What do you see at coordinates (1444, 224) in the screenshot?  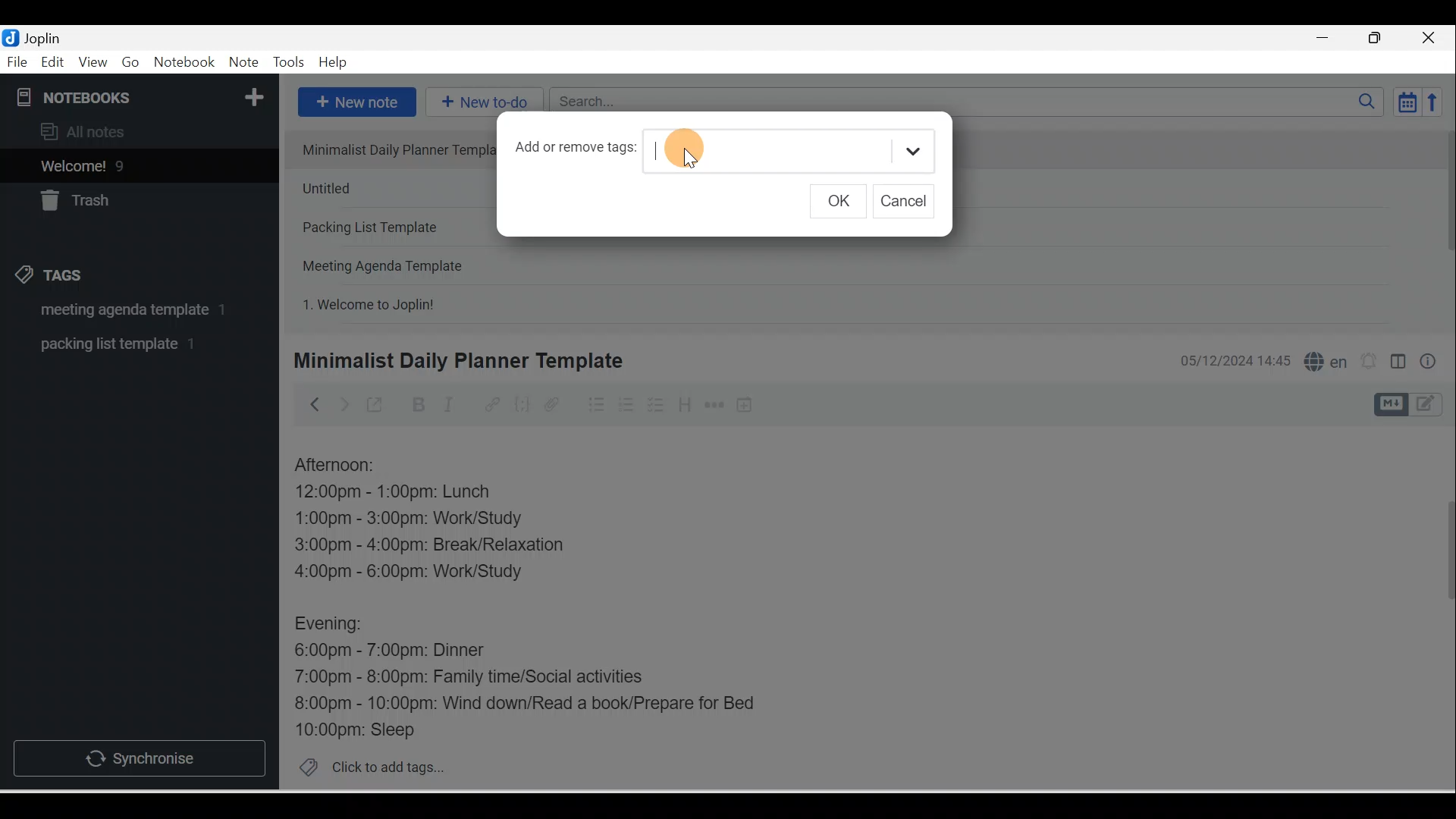 I see `Scroll bar` at bounding box center [1444, 224].